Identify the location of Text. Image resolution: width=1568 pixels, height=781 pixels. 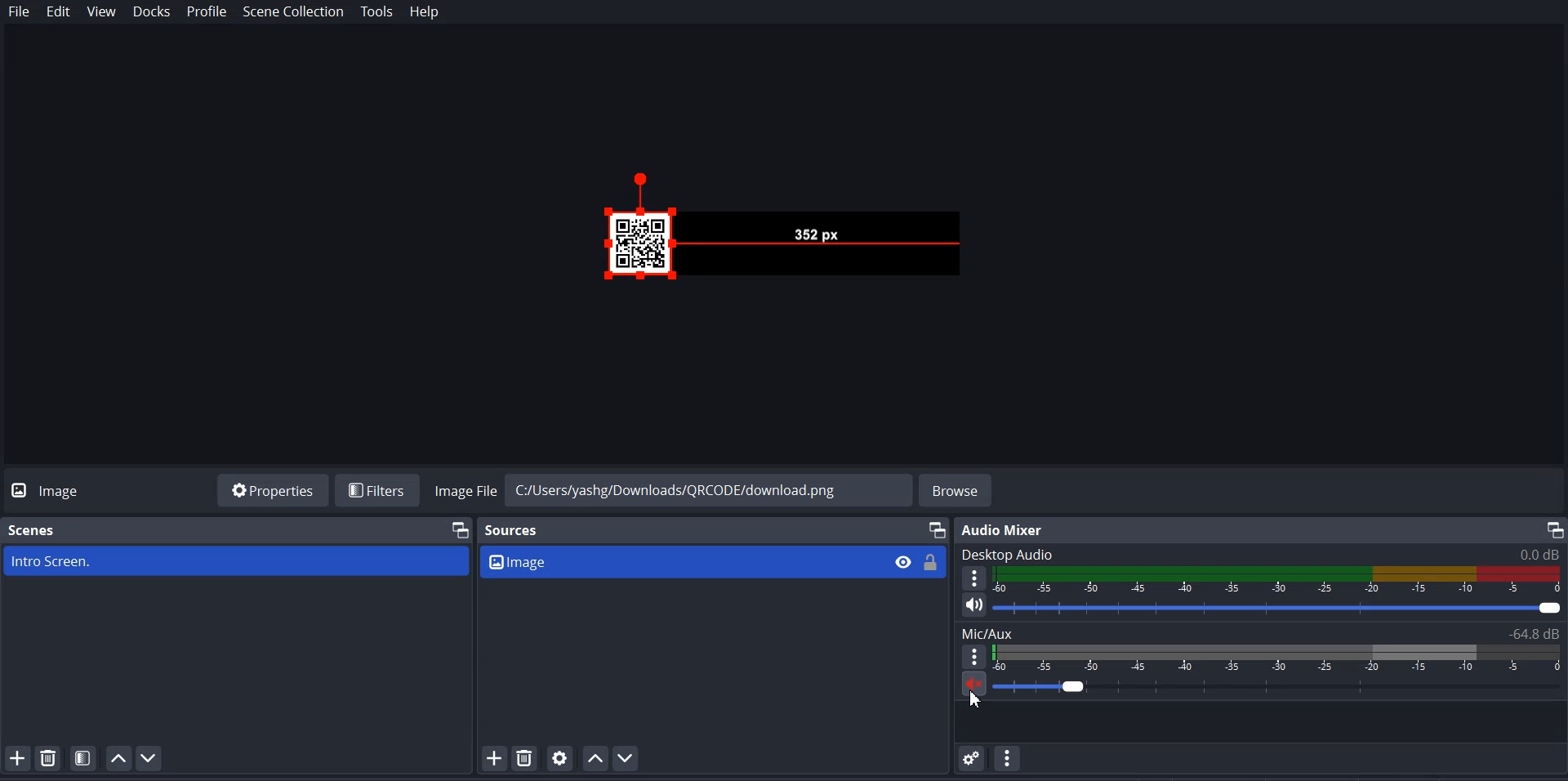
(1006, 530).